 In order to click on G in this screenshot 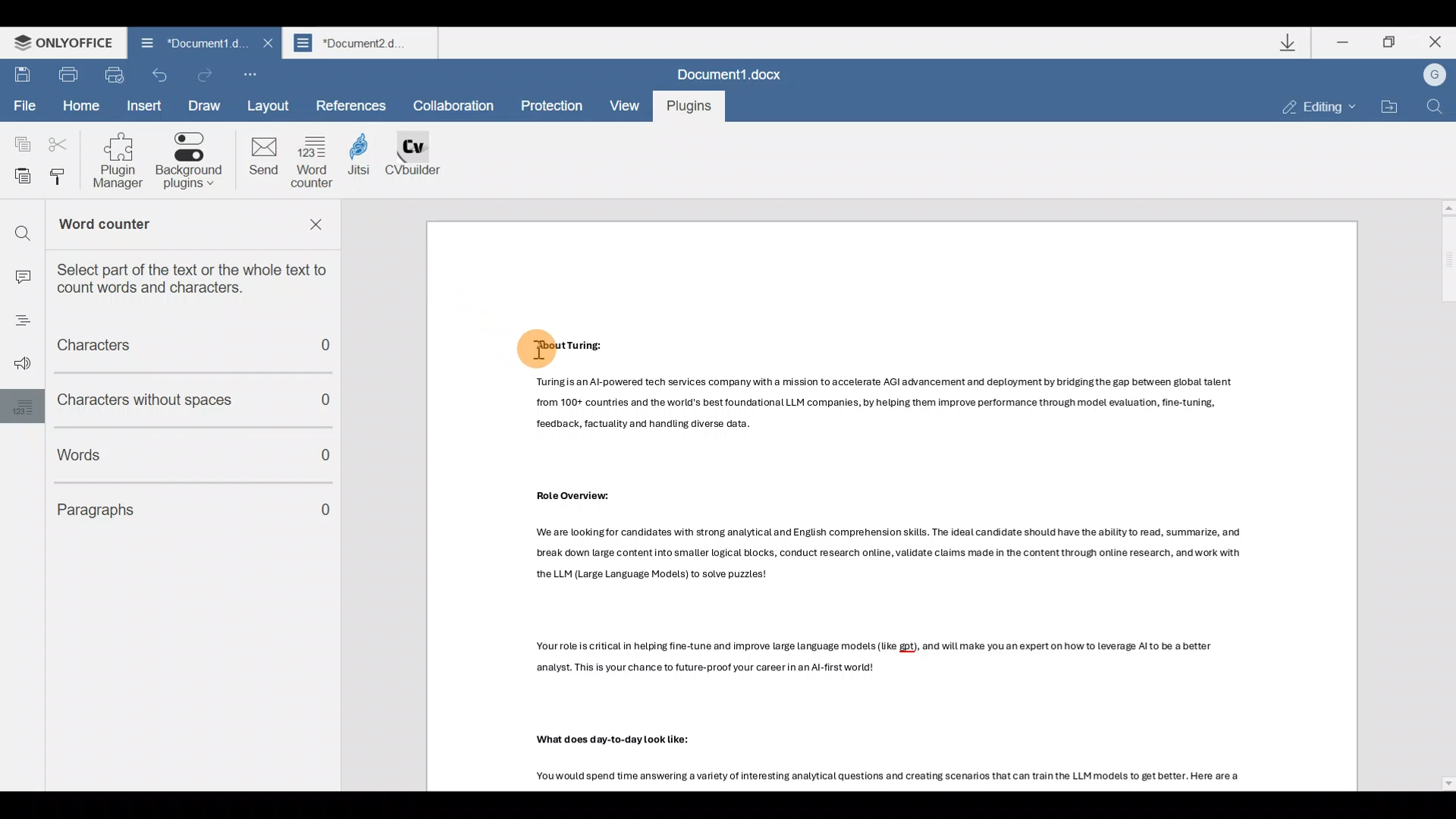, I will do `click(1427, 75)`.